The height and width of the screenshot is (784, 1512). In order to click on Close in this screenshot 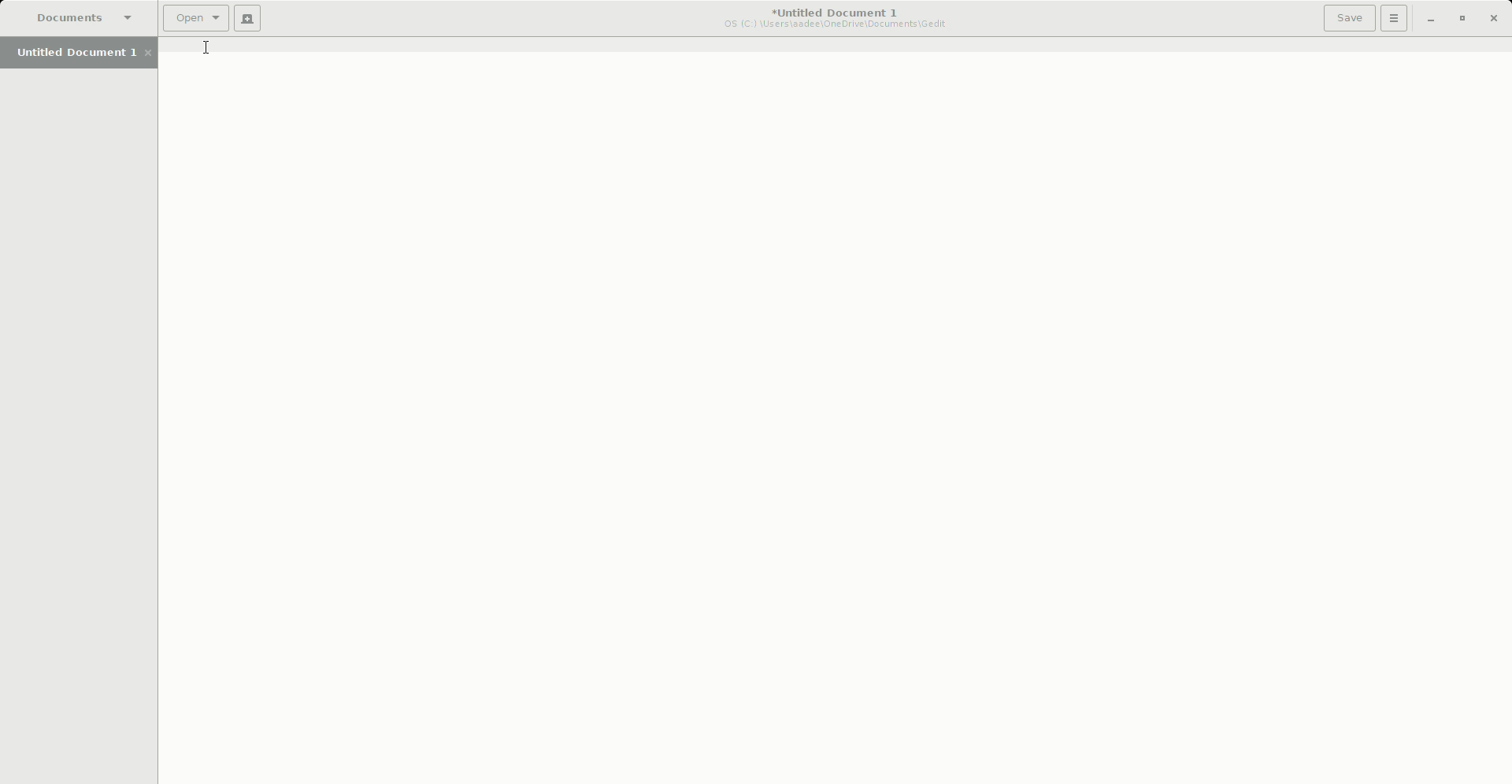, I will do `click(1496, 19)`.